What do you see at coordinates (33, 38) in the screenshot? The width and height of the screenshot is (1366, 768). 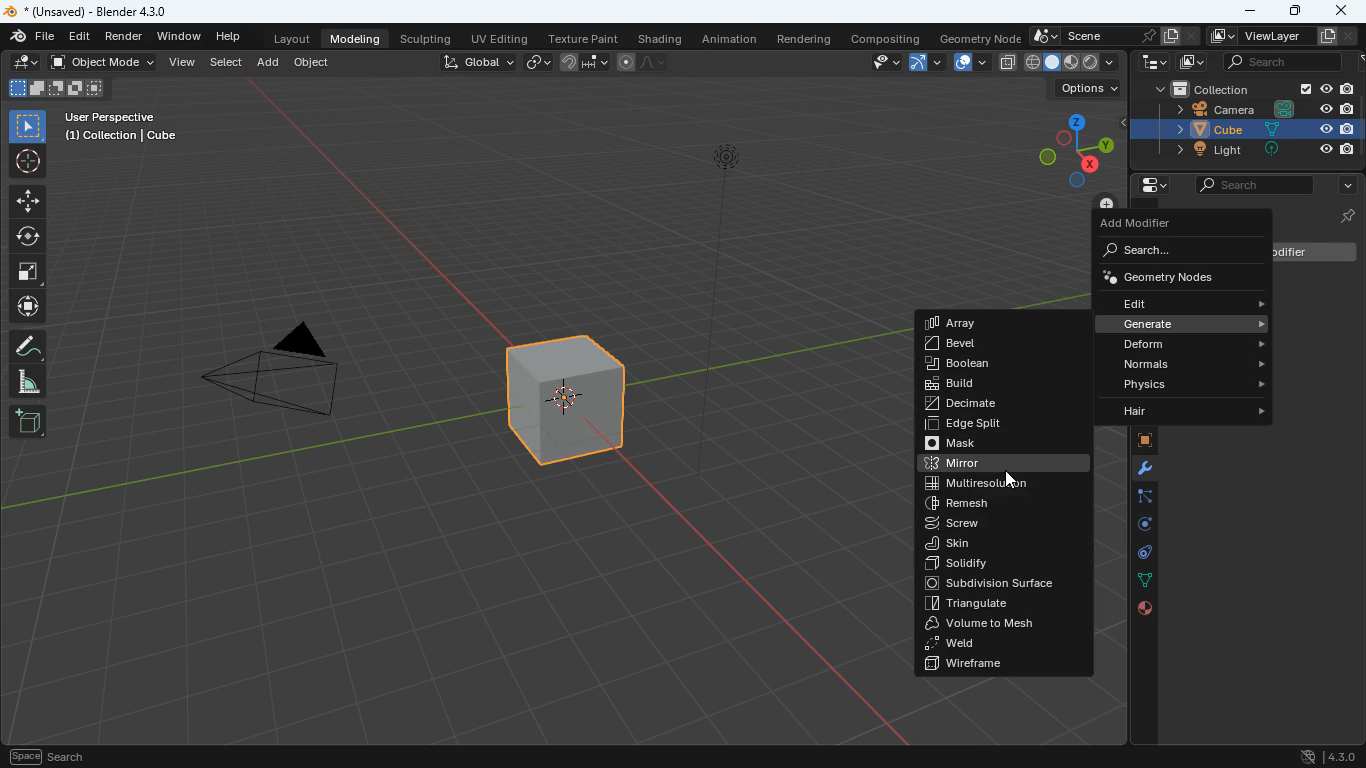 I see `finder` at bounding box center [33, 38].